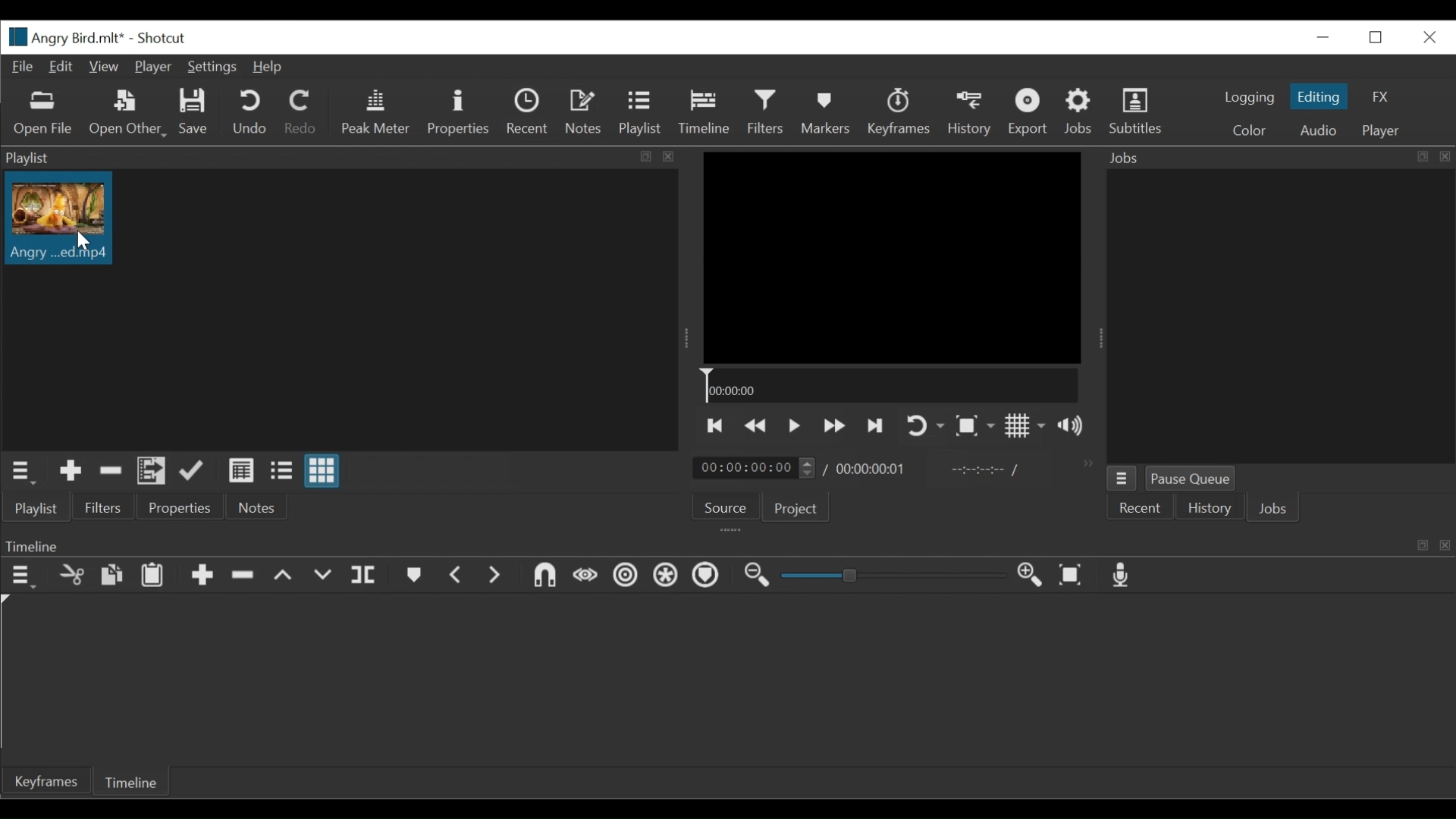  What do you see at coordinates (281, 470) in the screenshot?
I see `View as files` at bounding box center [281, 470].